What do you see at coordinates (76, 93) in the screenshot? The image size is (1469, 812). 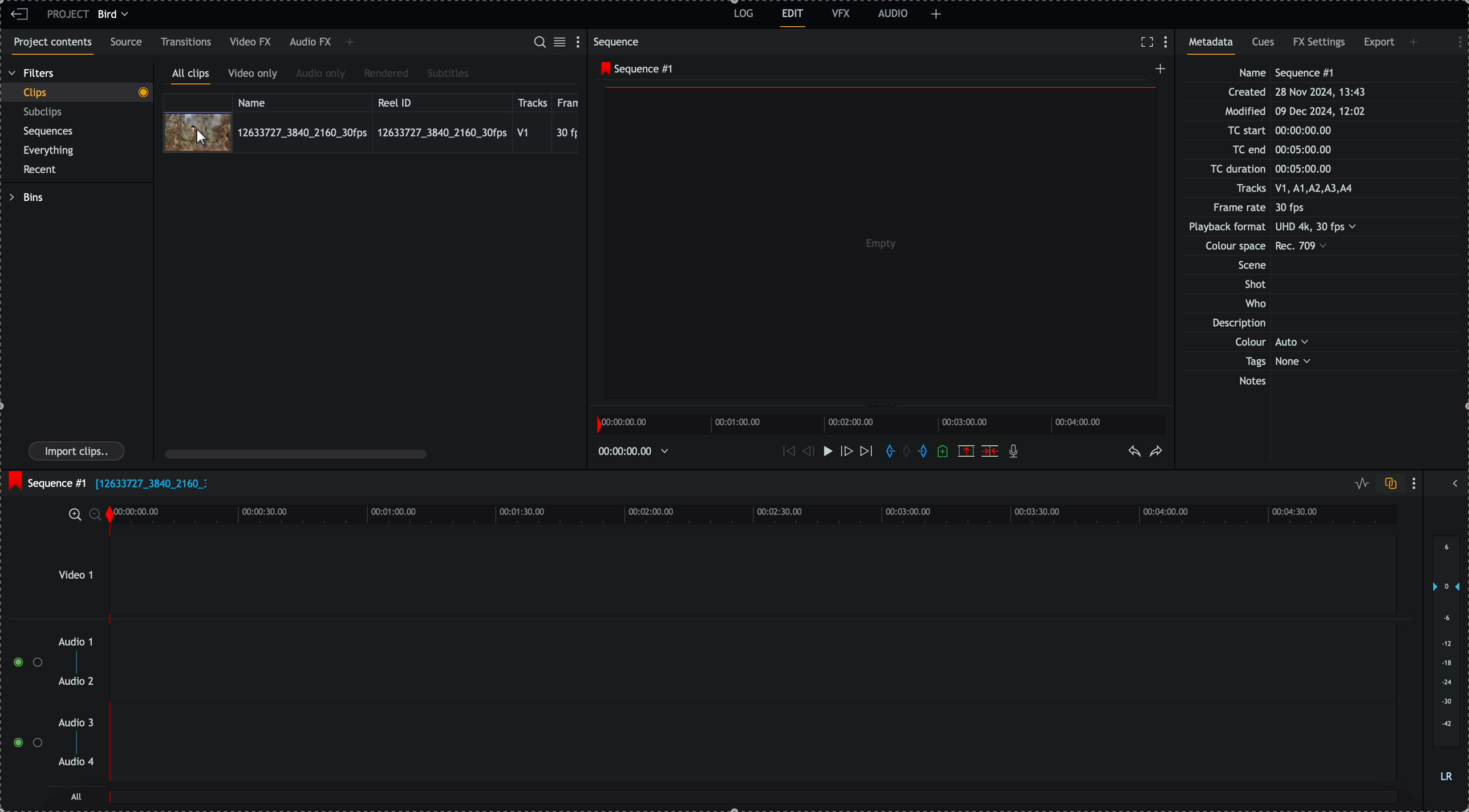 I see `clips` at bounding box center [76, 93].